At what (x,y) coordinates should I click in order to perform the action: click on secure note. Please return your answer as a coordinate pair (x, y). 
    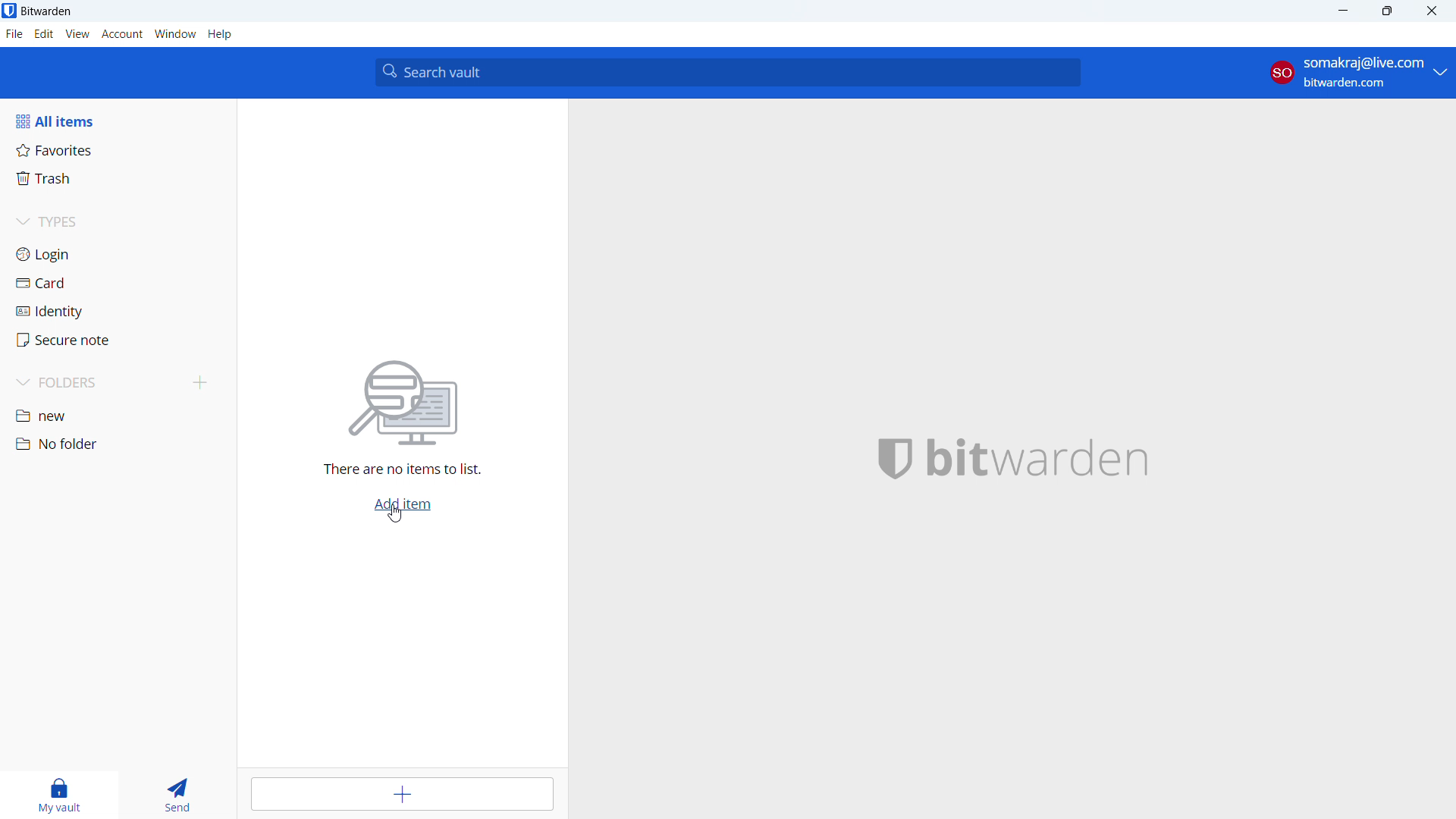
    Looking at the image, I should click on (118, 340).